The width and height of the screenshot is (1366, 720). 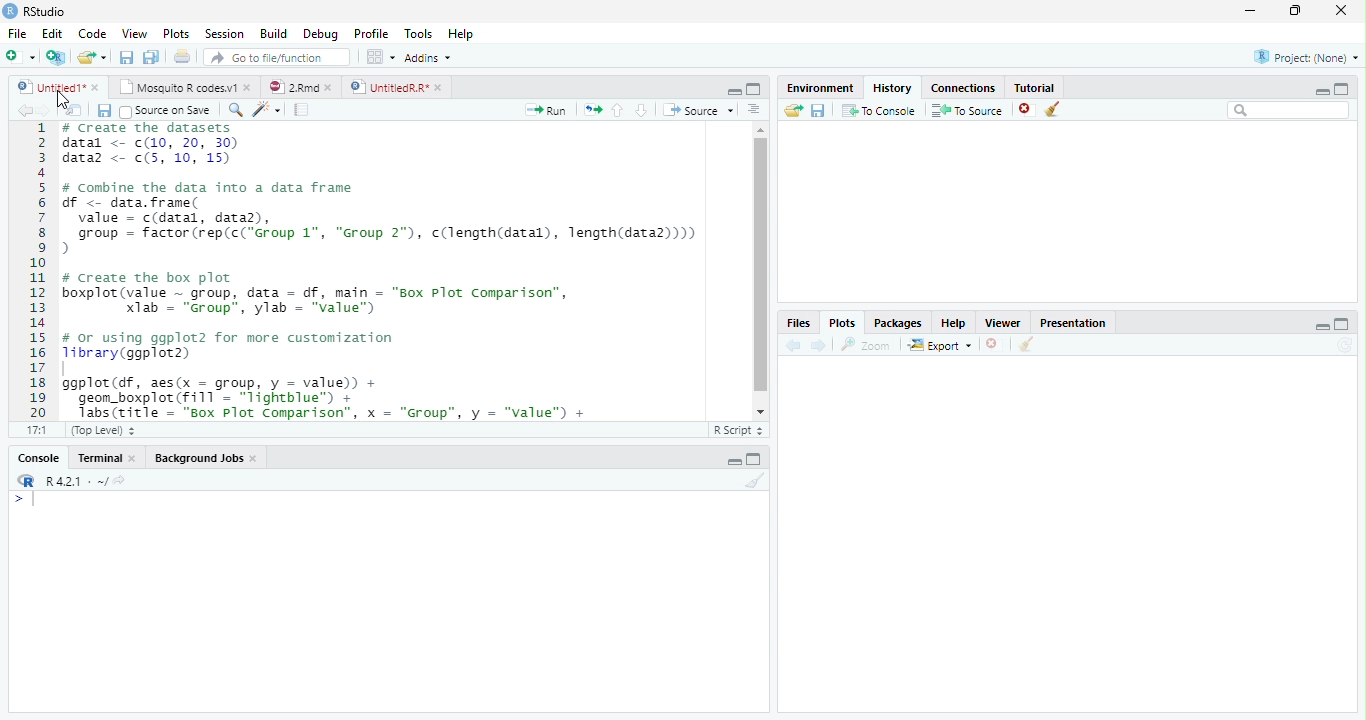 What do you see at coordinates (62, 104) in the screenshot?
I see `cursor` at bounding box center [62, 104].